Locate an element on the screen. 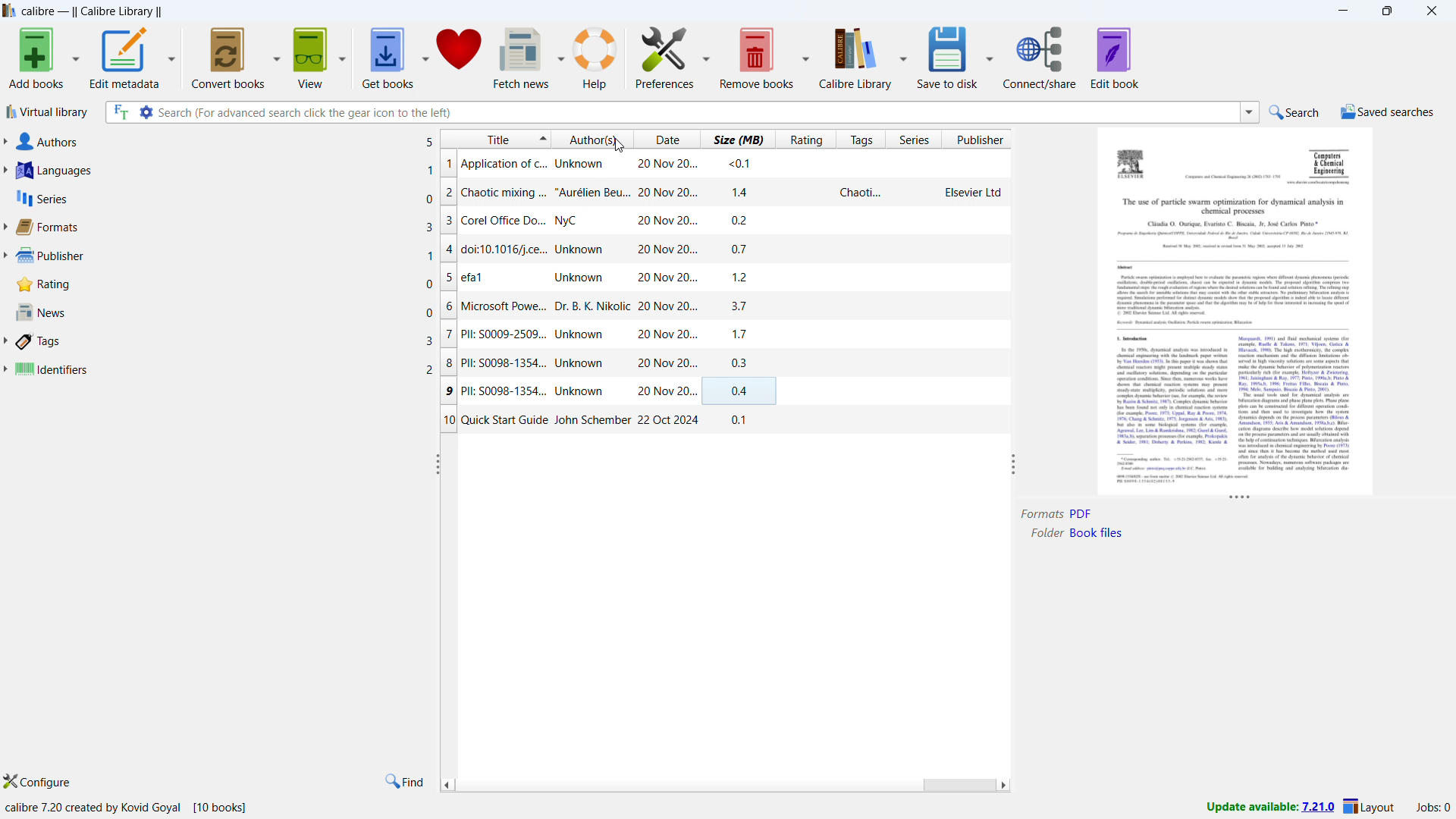 The height and width of the screenshot is (819, 1456). resize is located at coordinates (1238, 500).